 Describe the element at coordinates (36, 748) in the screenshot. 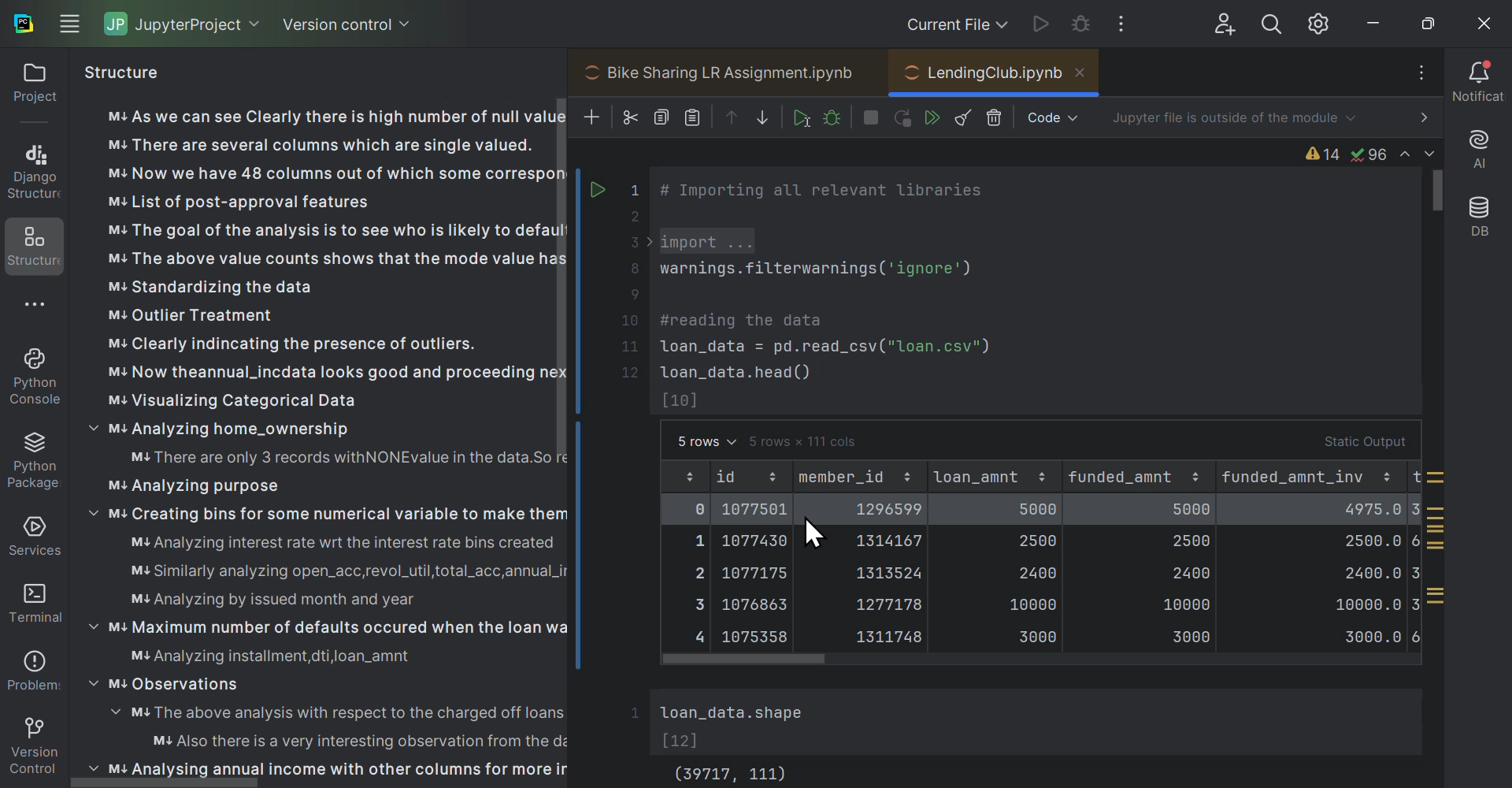

I see `Version control` at that location.